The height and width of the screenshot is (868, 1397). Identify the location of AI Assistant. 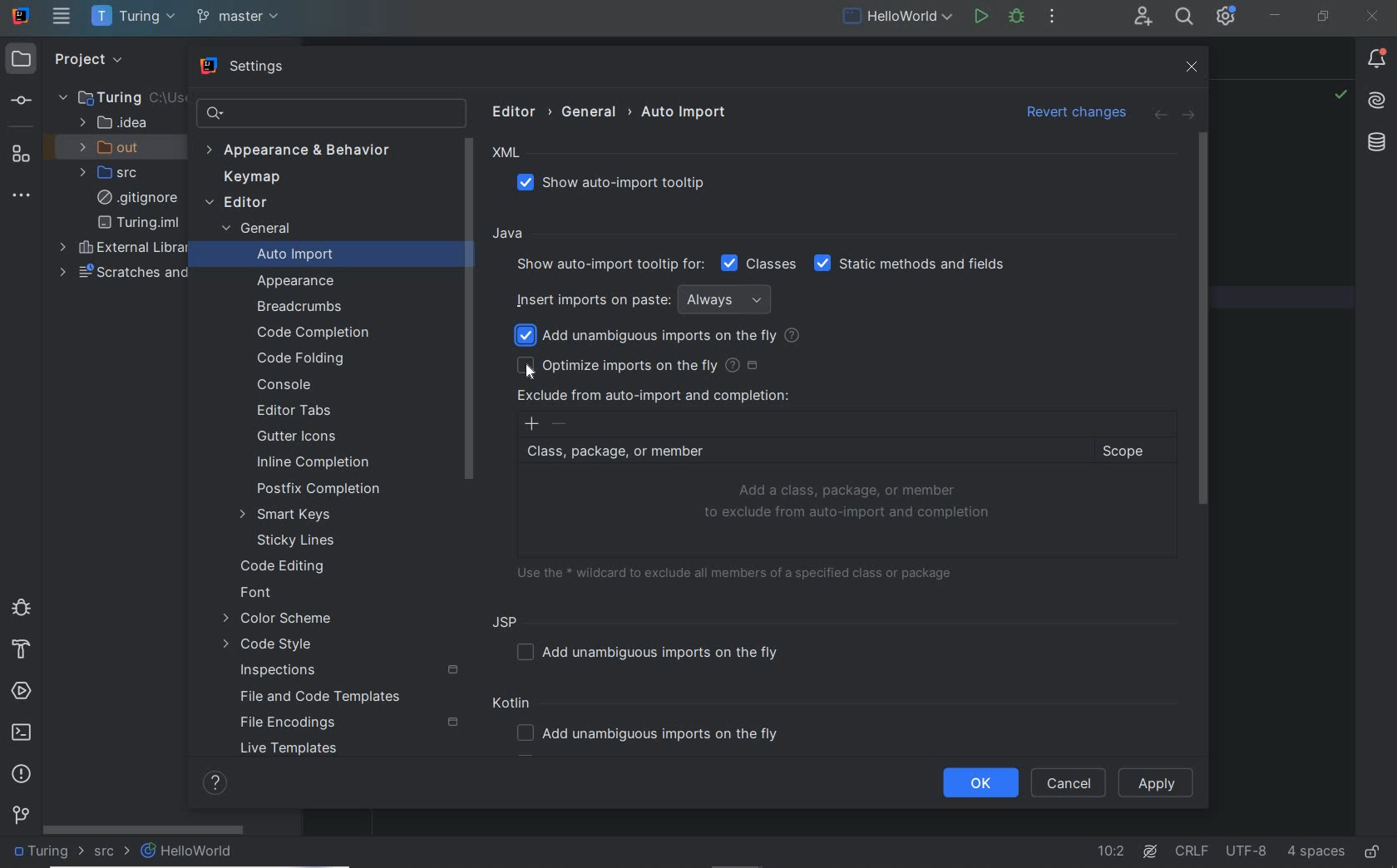
(1153, 851).